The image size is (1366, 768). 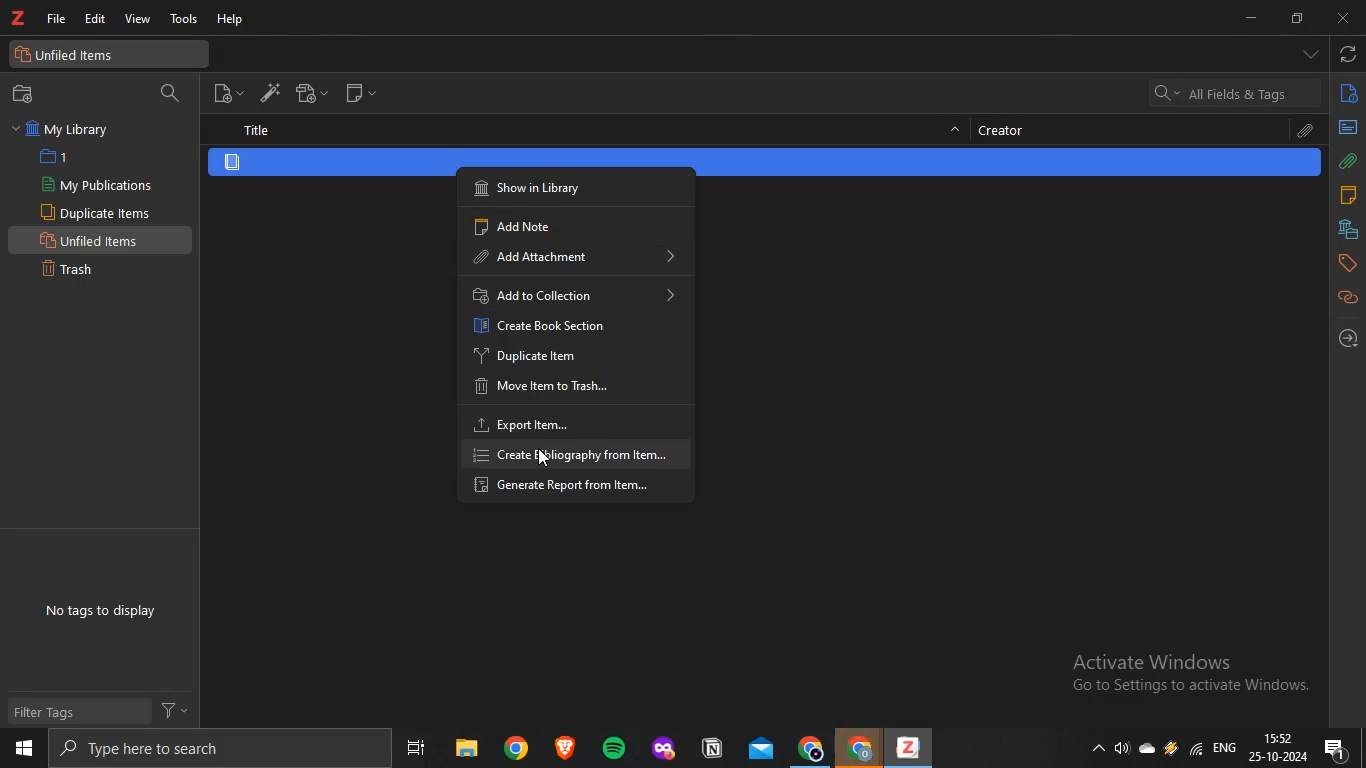 What do you see at coordinates (415, 748) in the screenshot?
I see `task view` at bounding box center [415, 748].